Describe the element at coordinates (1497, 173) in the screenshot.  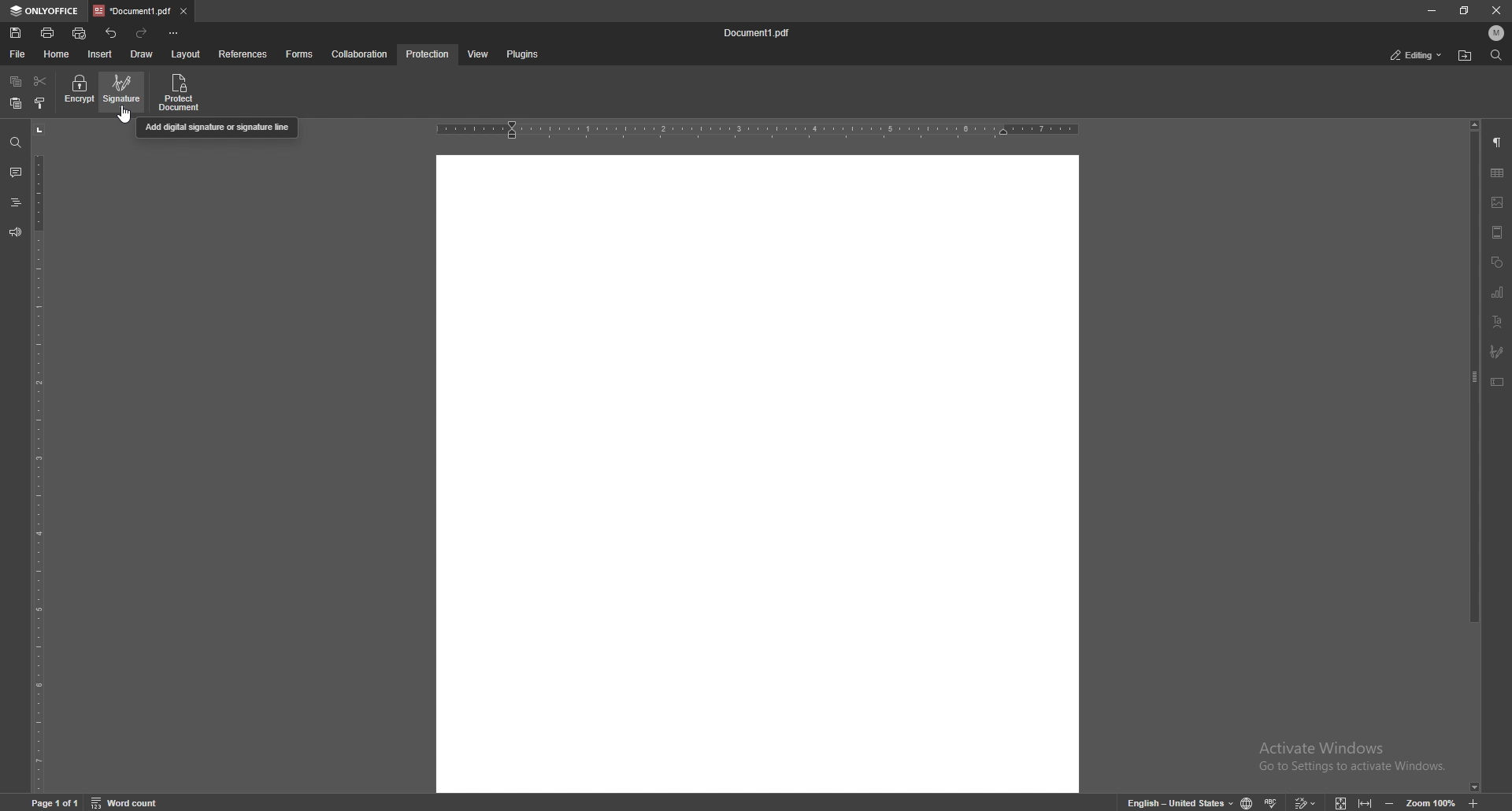
I see `table` at that location.